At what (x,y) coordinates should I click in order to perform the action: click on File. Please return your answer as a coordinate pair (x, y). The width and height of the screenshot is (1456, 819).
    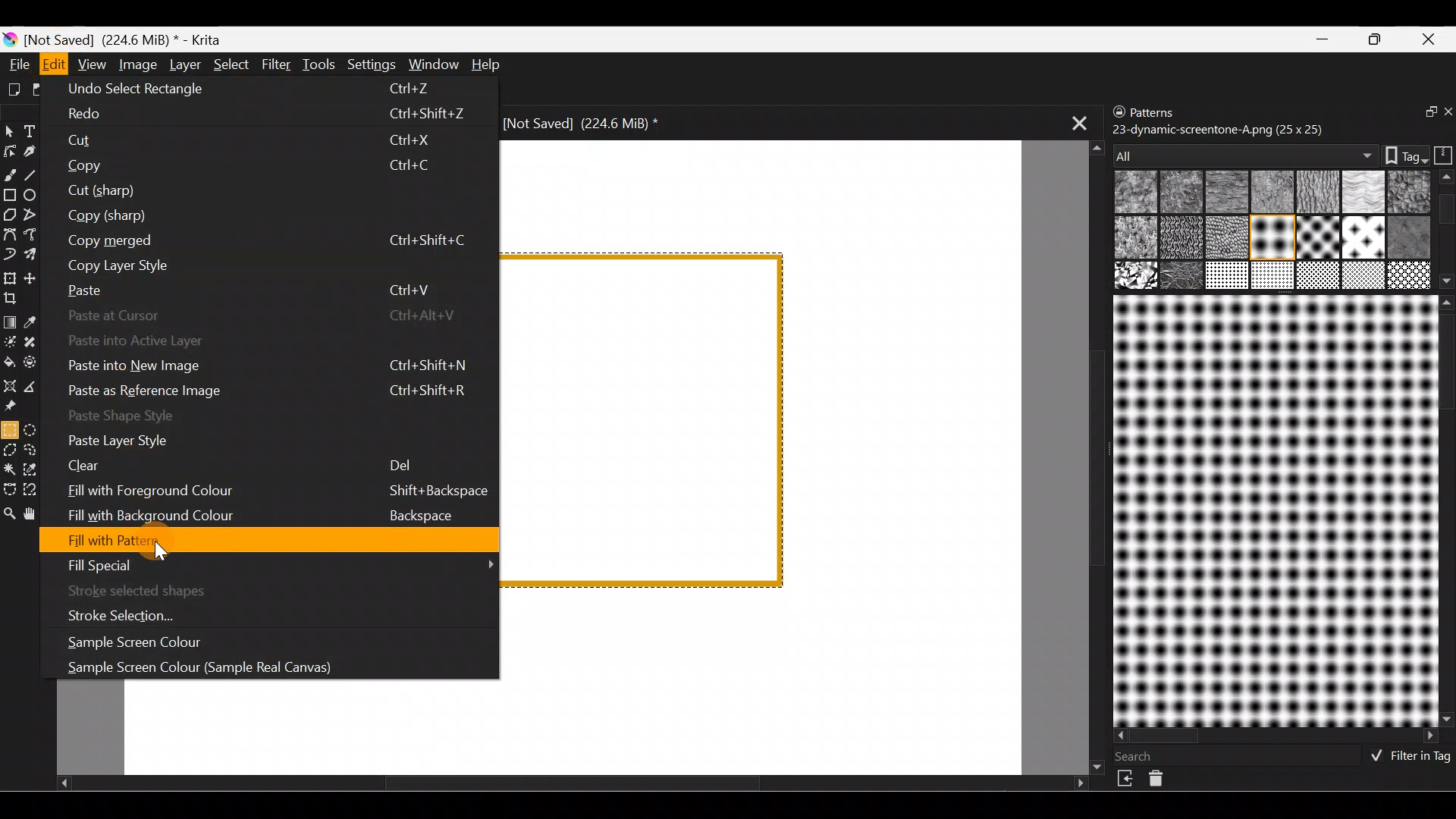
    Looking at the image, I should click on (17, 64).